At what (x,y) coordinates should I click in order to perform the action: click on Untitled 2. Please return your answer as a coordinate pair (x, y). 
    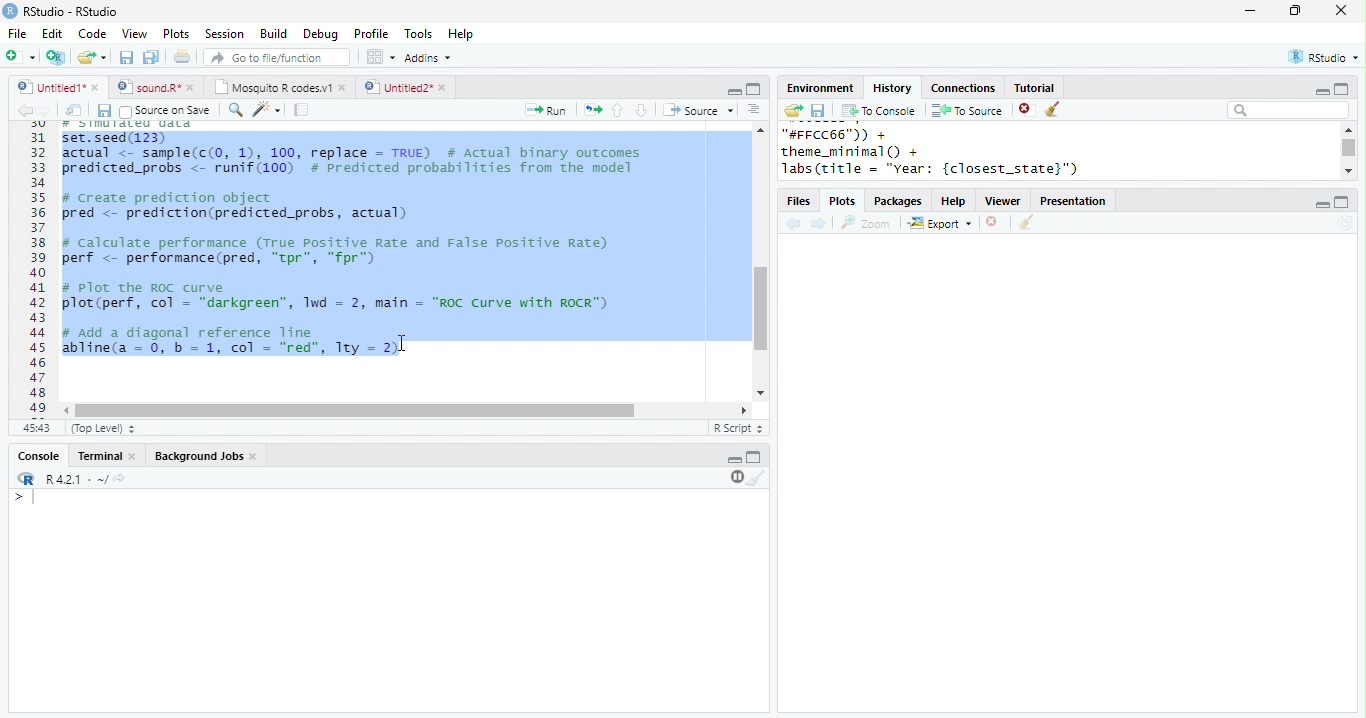
    Looking at the image, I should click on (397, 86).